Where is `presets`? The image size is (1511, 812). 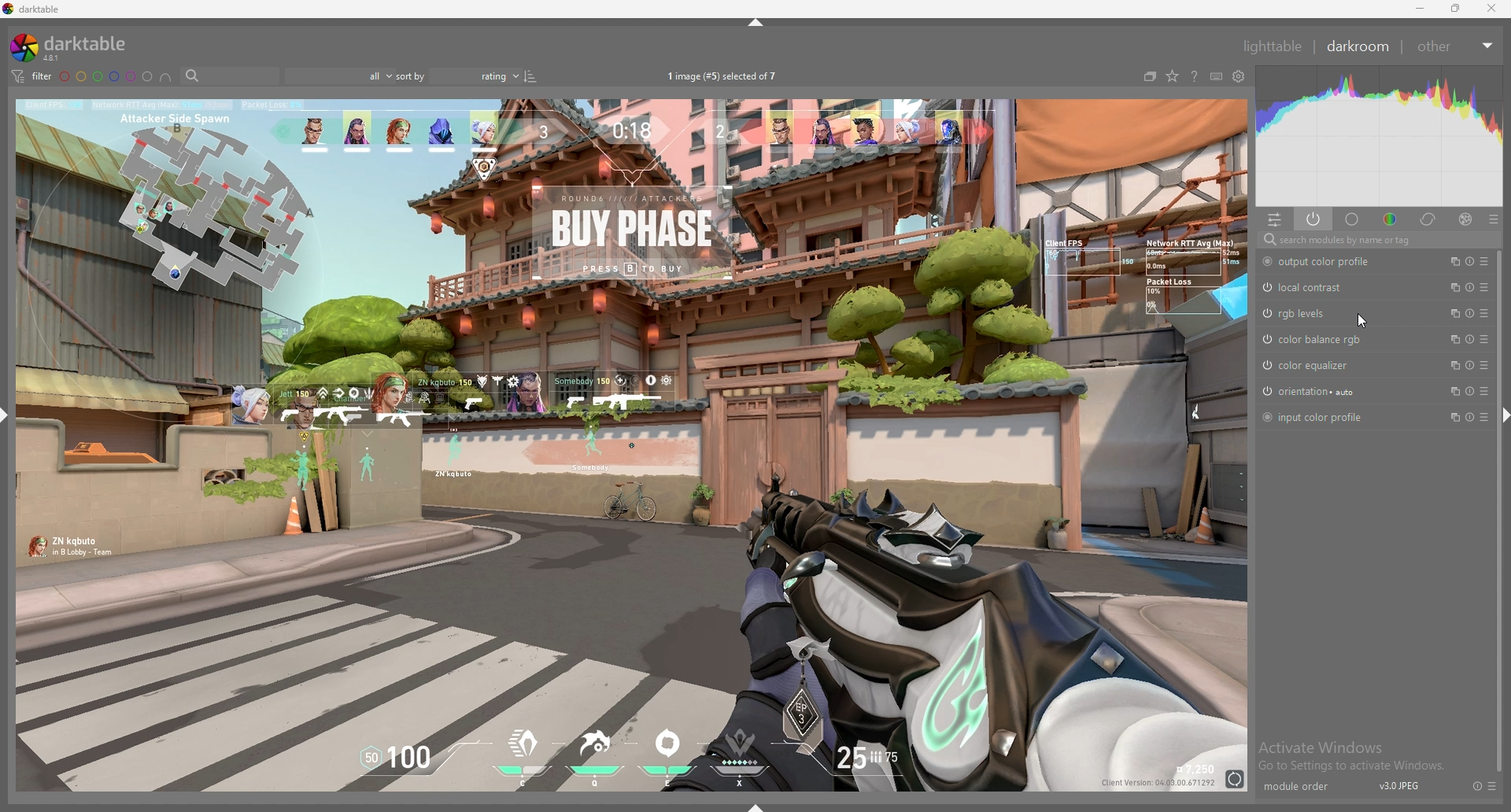
presets is located at coordinates (1494, 785).